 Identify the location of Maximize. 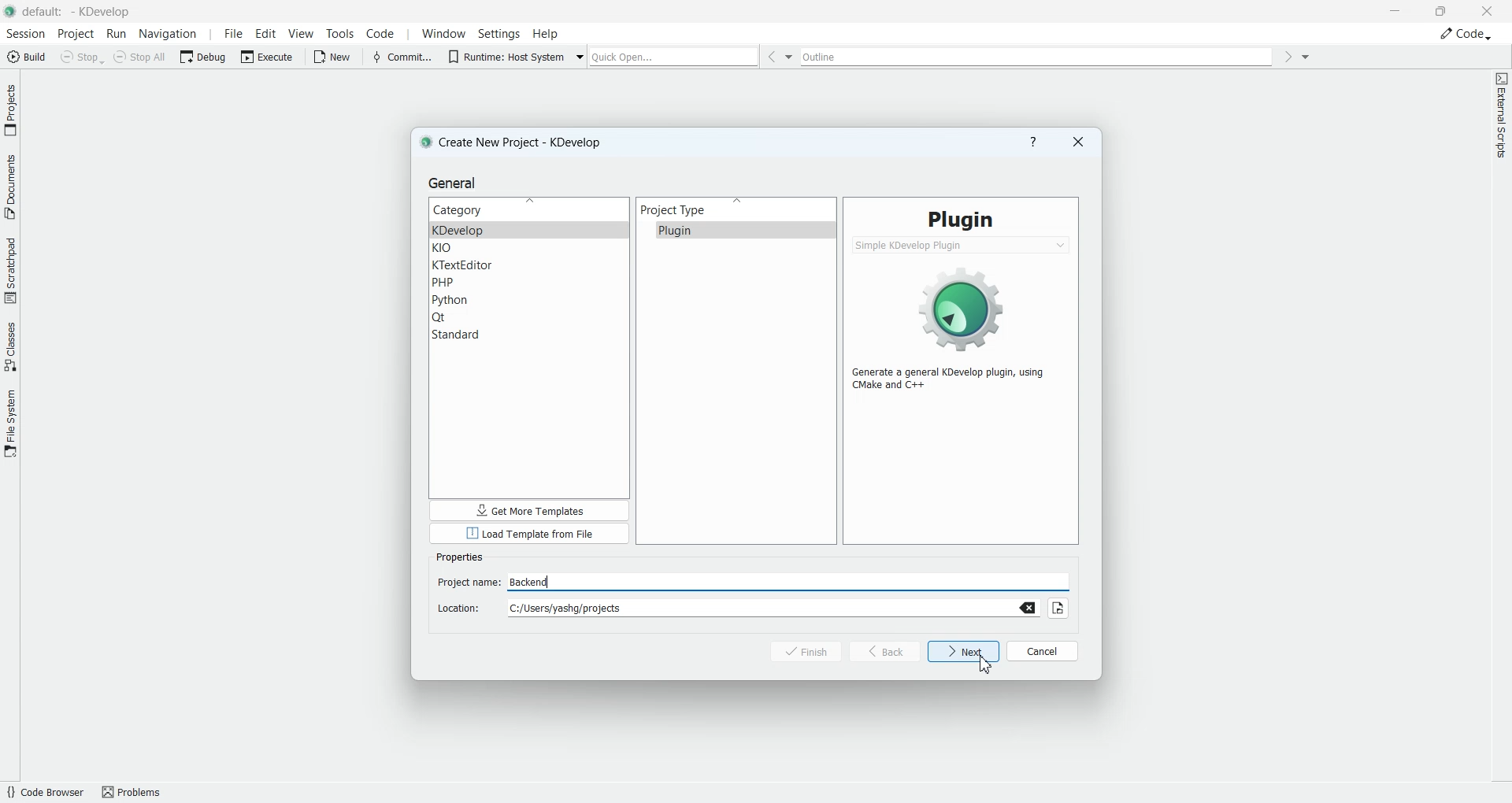
(1442, 9).